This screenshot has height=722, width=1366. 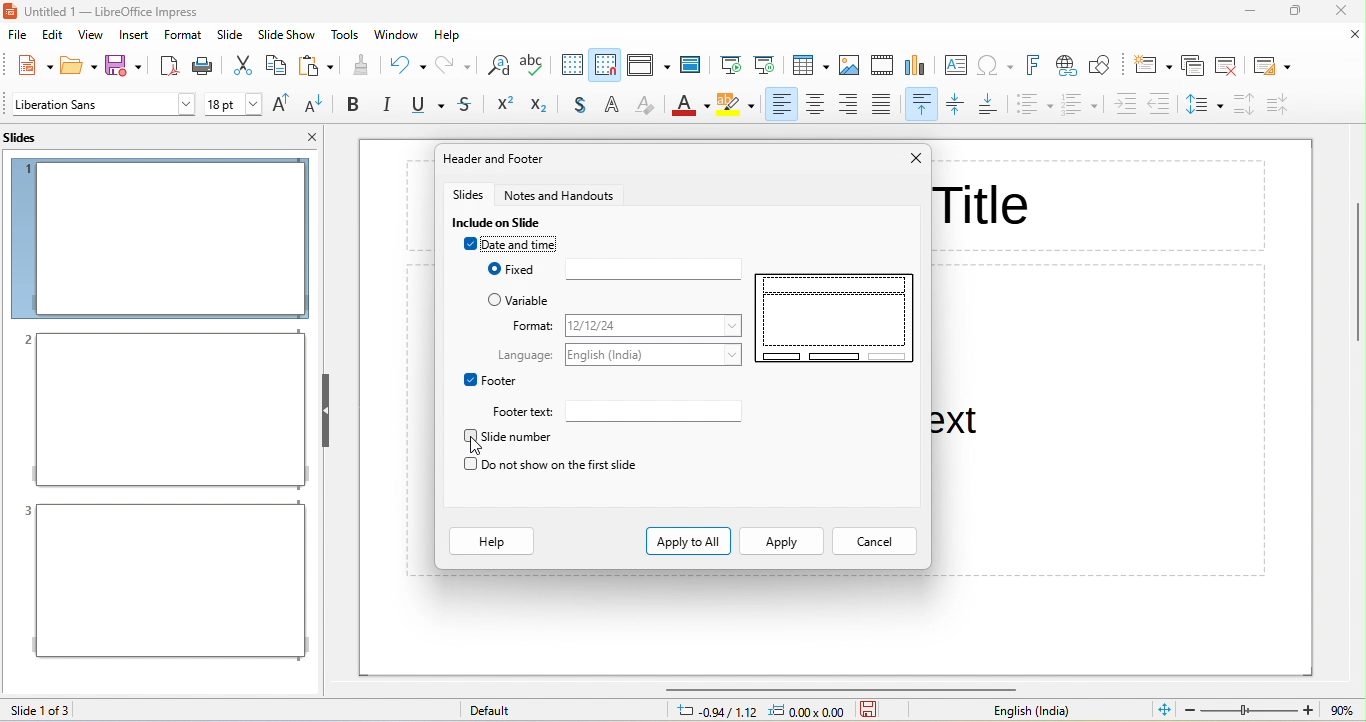 I want to click on text, so click(x=525, y=354).